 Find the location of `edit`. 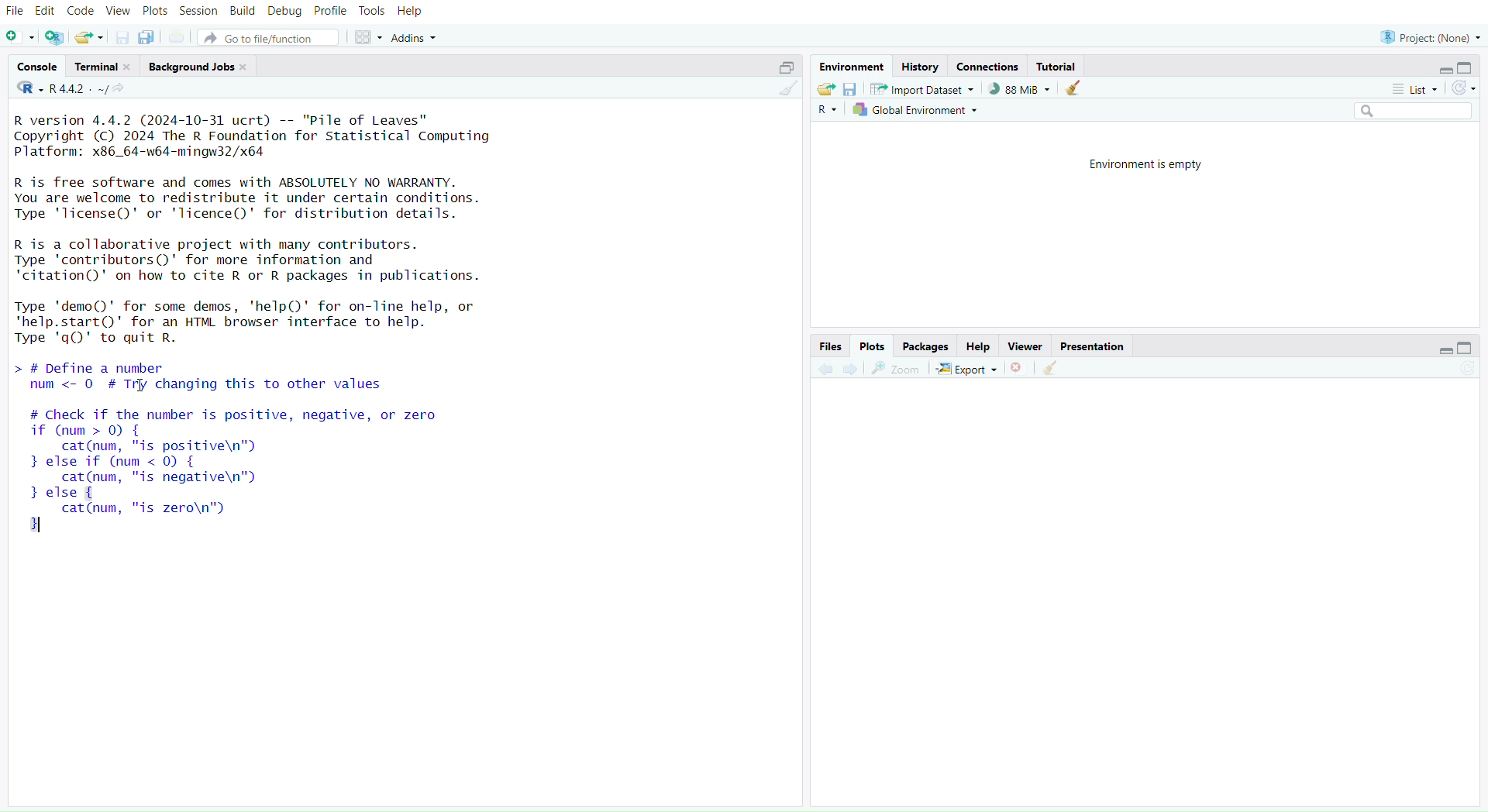

edit is located at coordinates (48, 10).